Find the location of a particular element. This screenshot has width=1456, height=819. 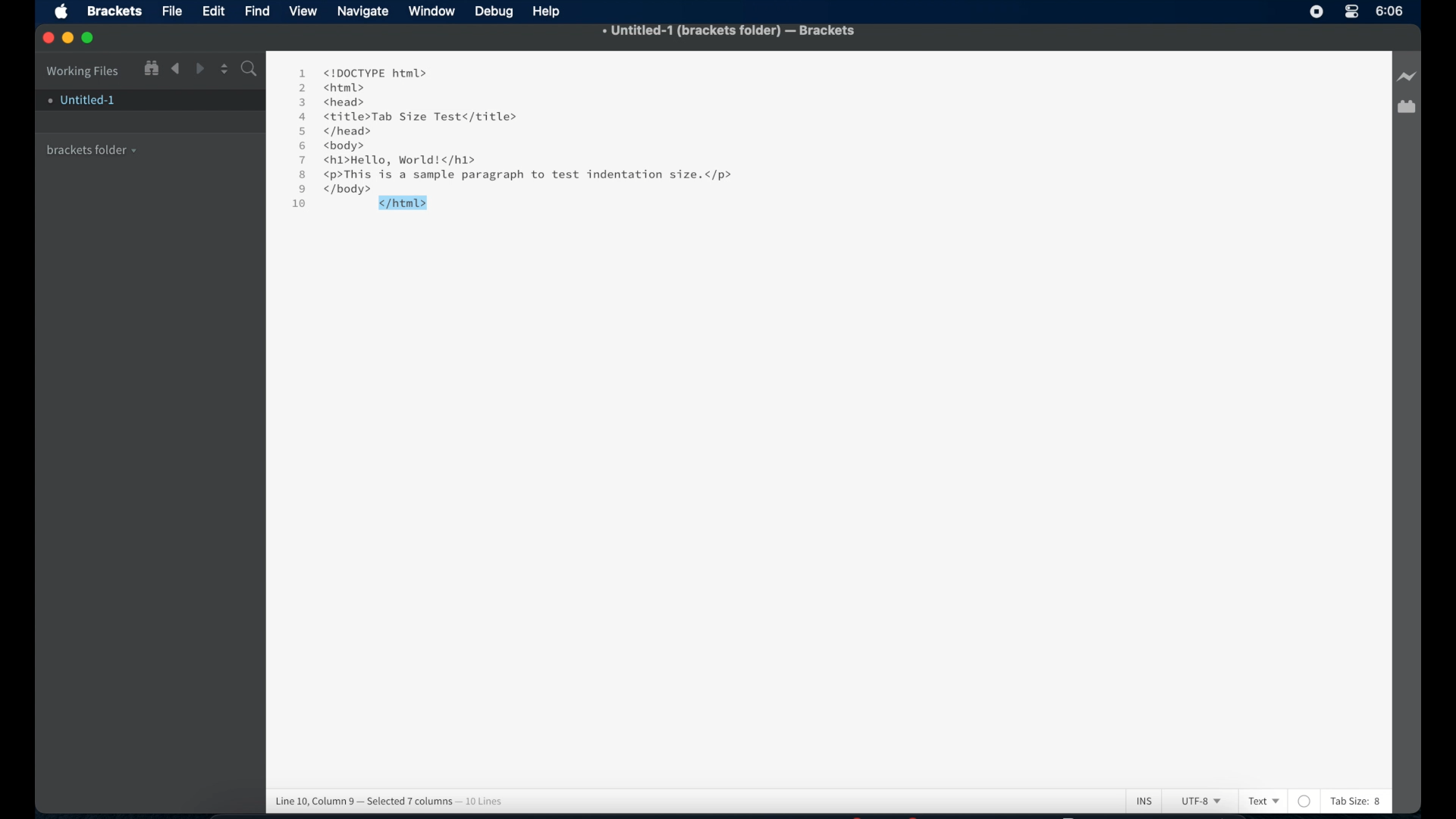

Right is located at coordinates (201, 68).